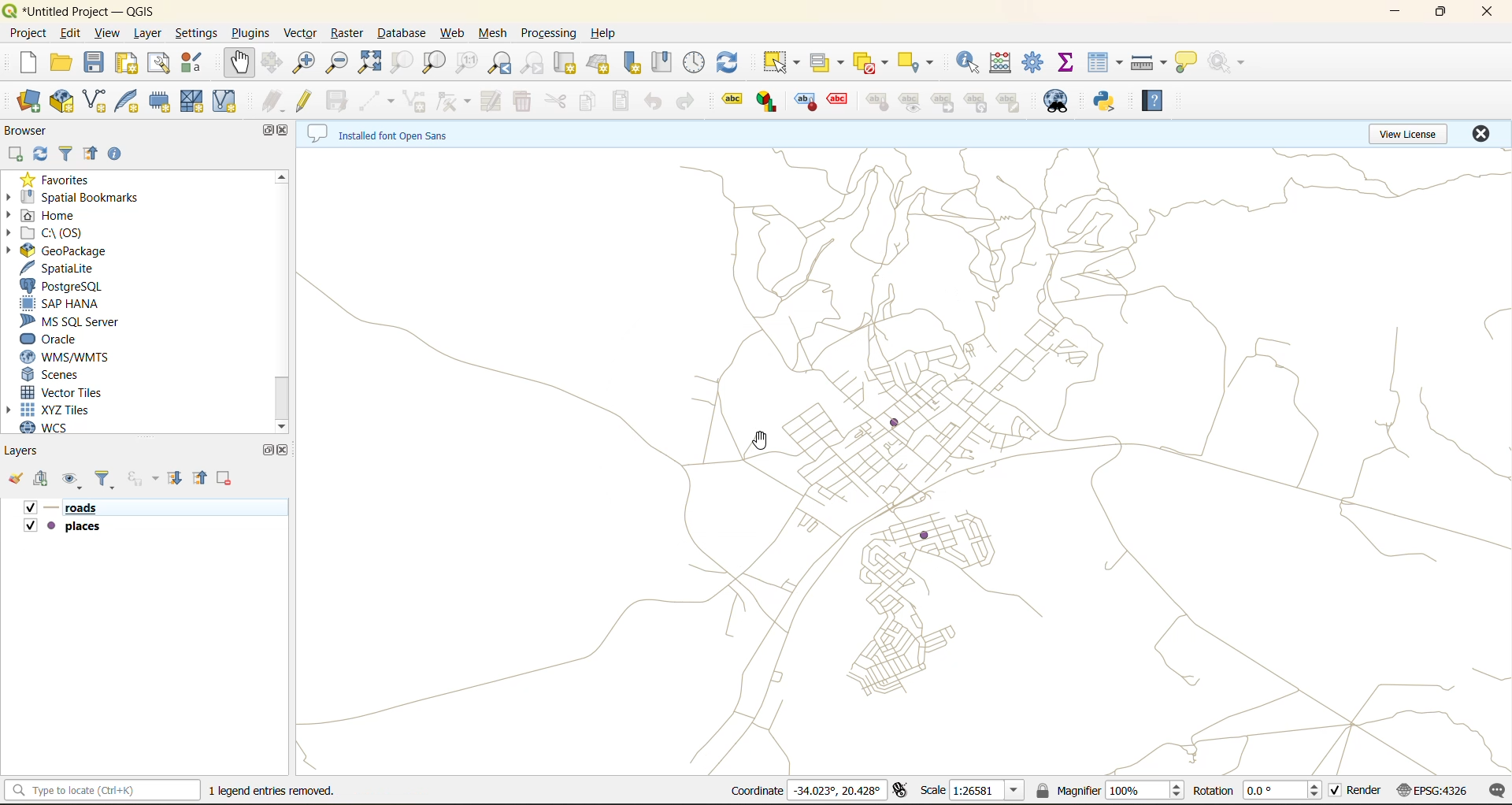  Describe the element at coordinates (191, 103) in the screenshot. I see `mesh layer` at that location.